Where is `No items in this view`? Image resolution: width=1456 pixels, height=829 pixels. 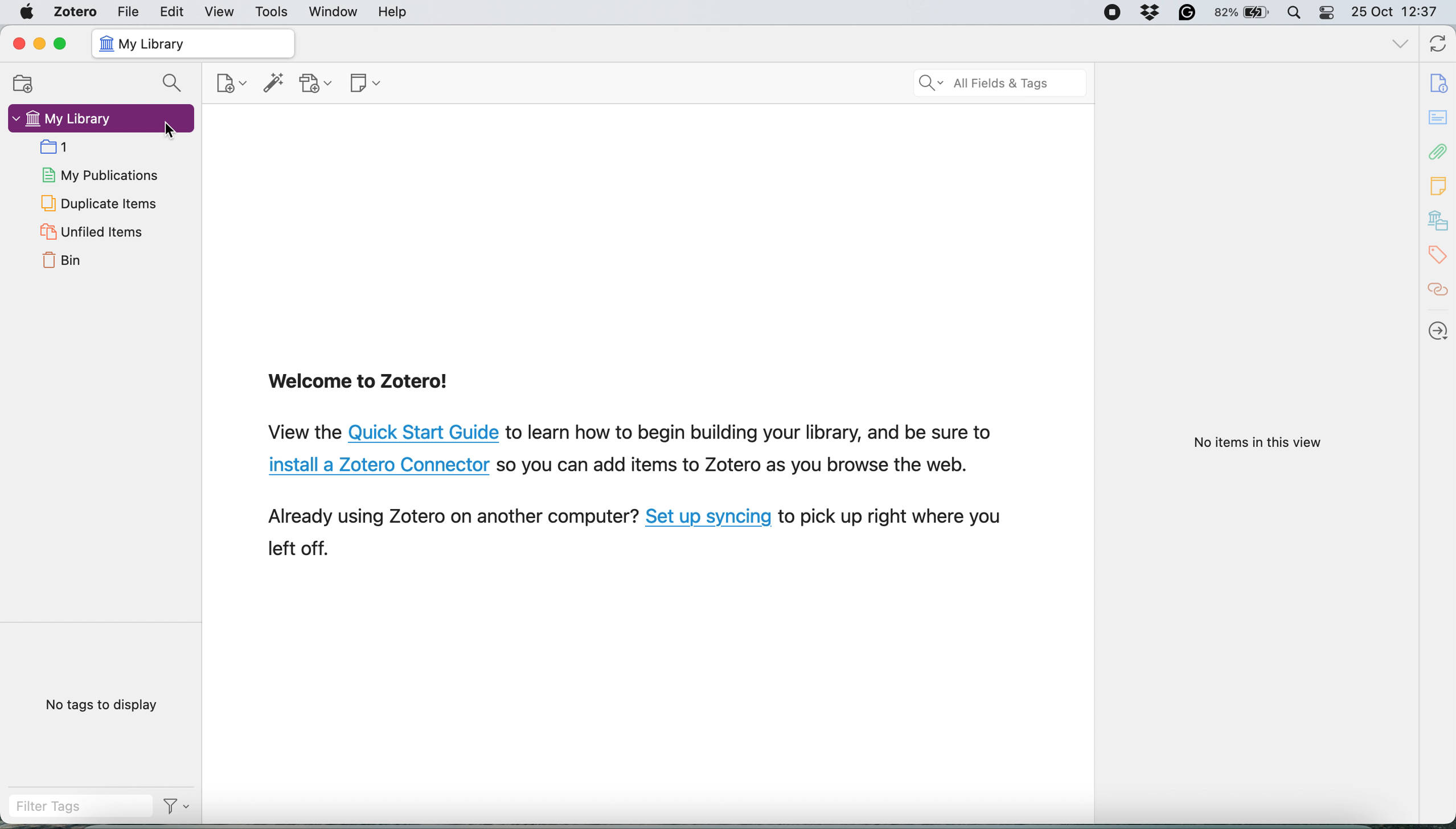 No items in this view is located at coordinates (1260, 443).